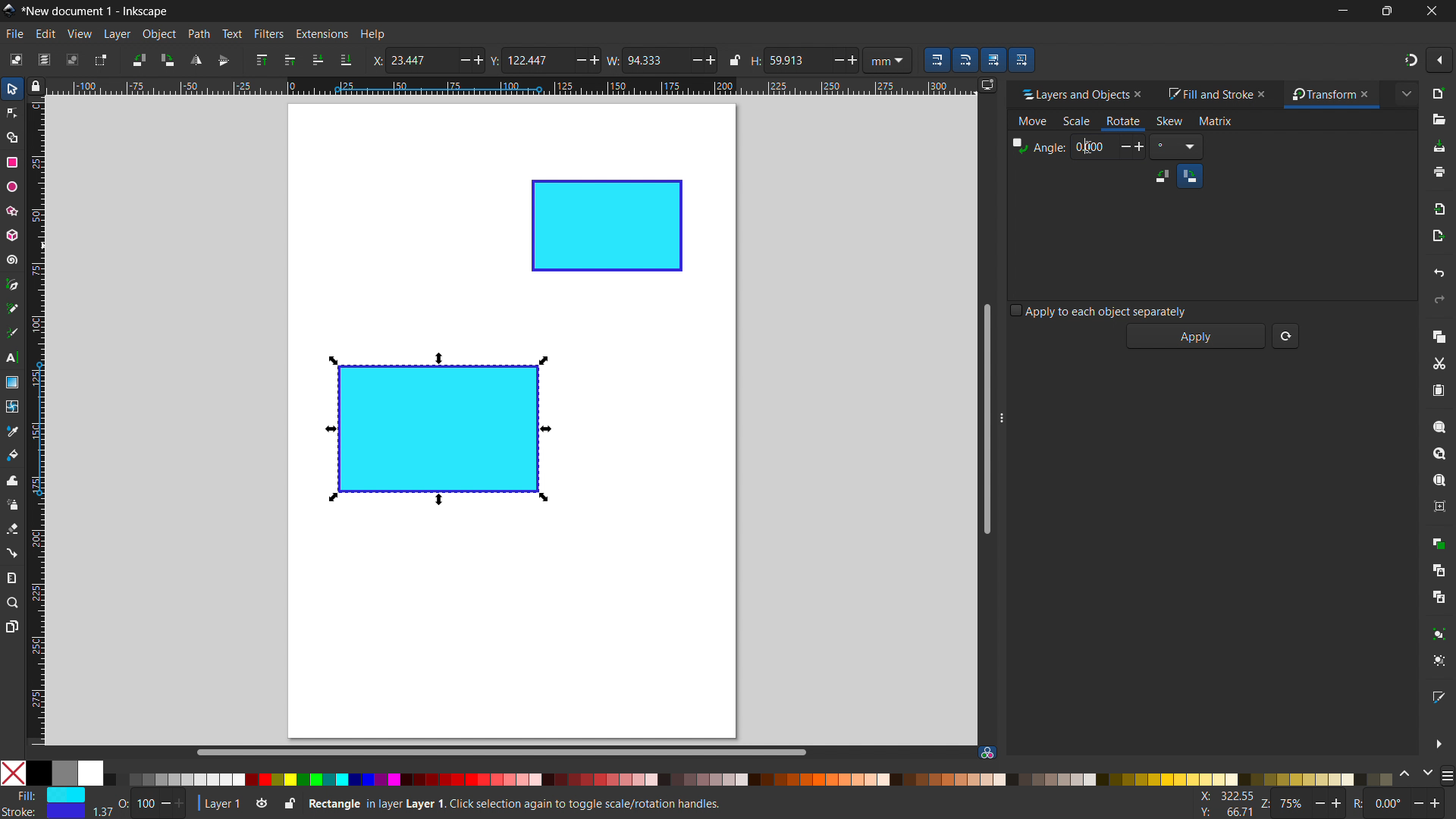  What do you see at coordinates (1265, 93) in the screenshot?
I see `close` at bounding box center [1265, 93].